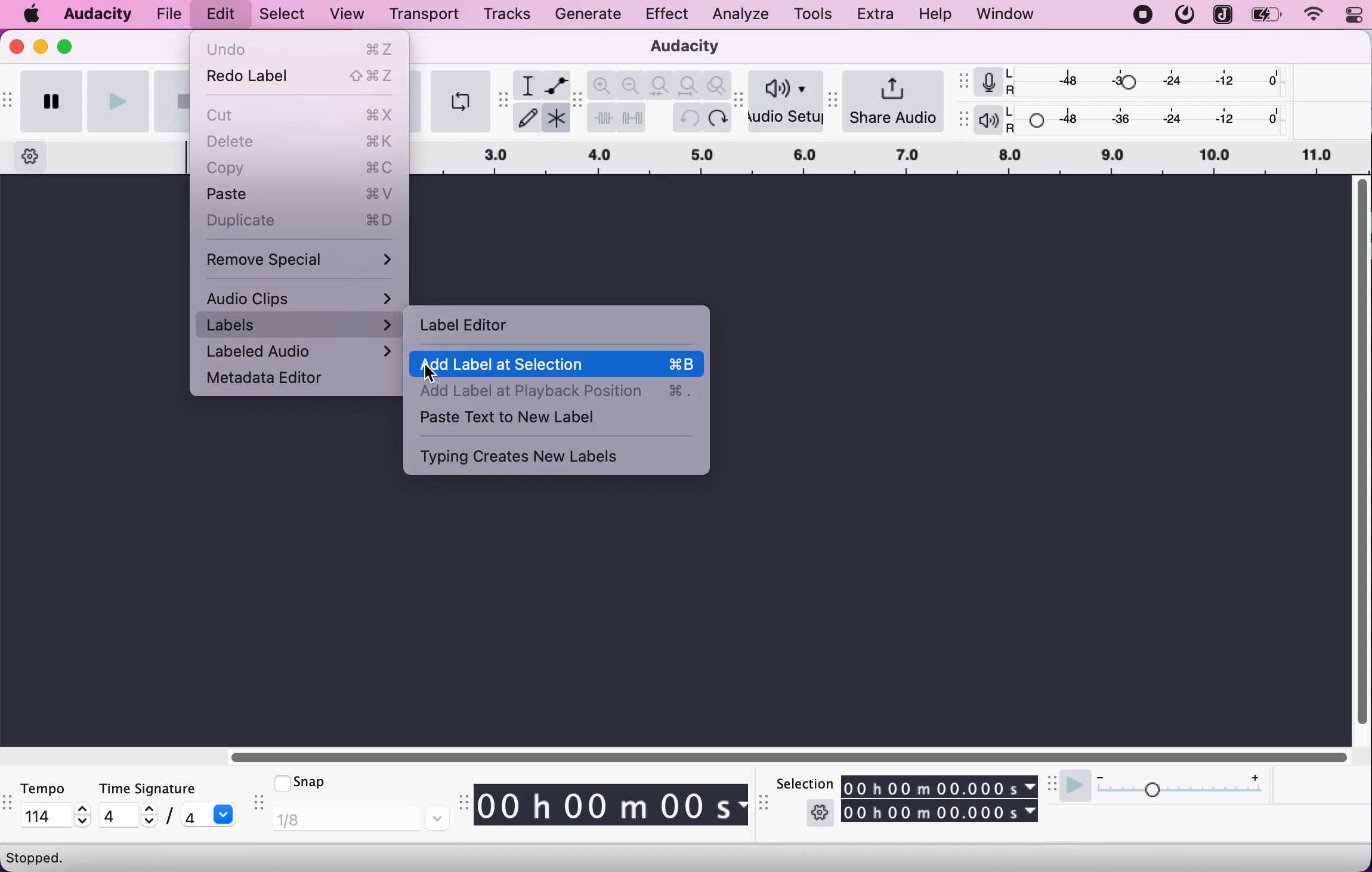 The width and height of the screenshot is (1372, 872). Describe the element at coordinates (503, 100) in the screenshot. I see `audacity tools toolbar` at that location.